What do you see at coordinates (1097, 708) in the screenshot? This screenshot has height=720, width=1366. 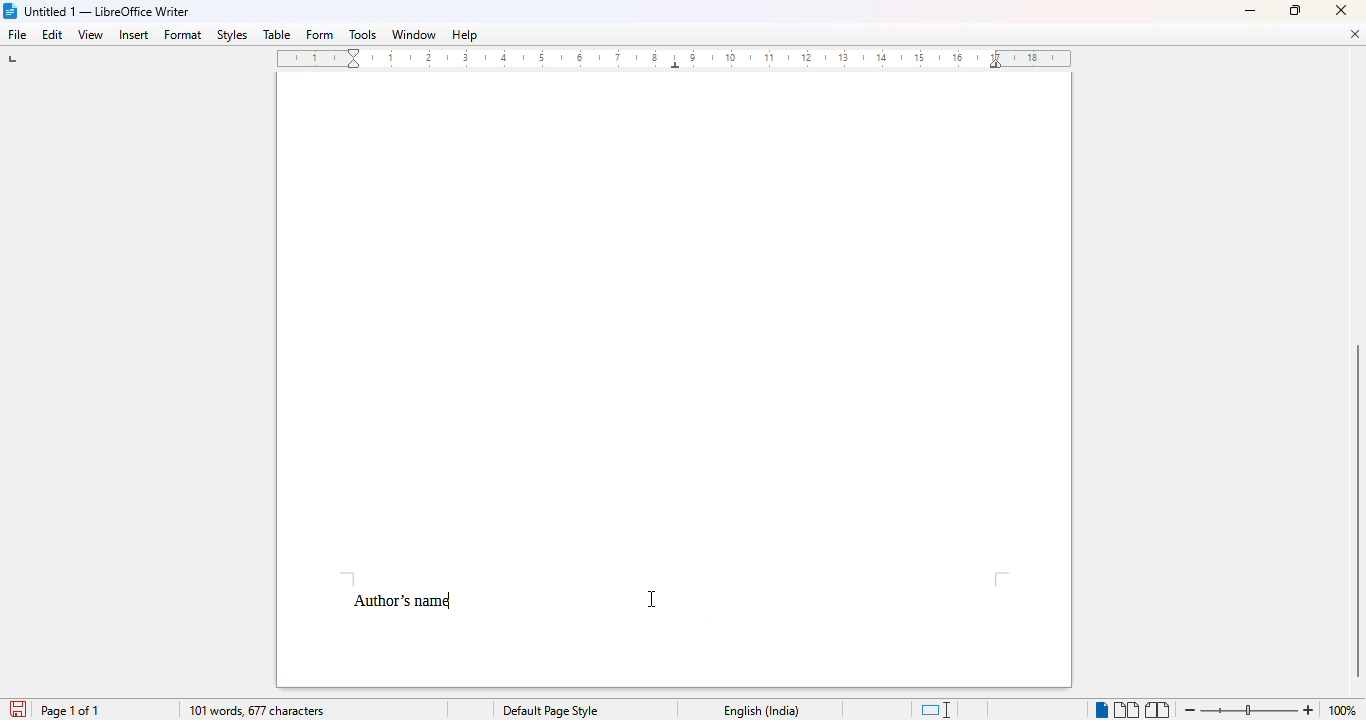 I see `single page view` at bounding box center [1097, 708].